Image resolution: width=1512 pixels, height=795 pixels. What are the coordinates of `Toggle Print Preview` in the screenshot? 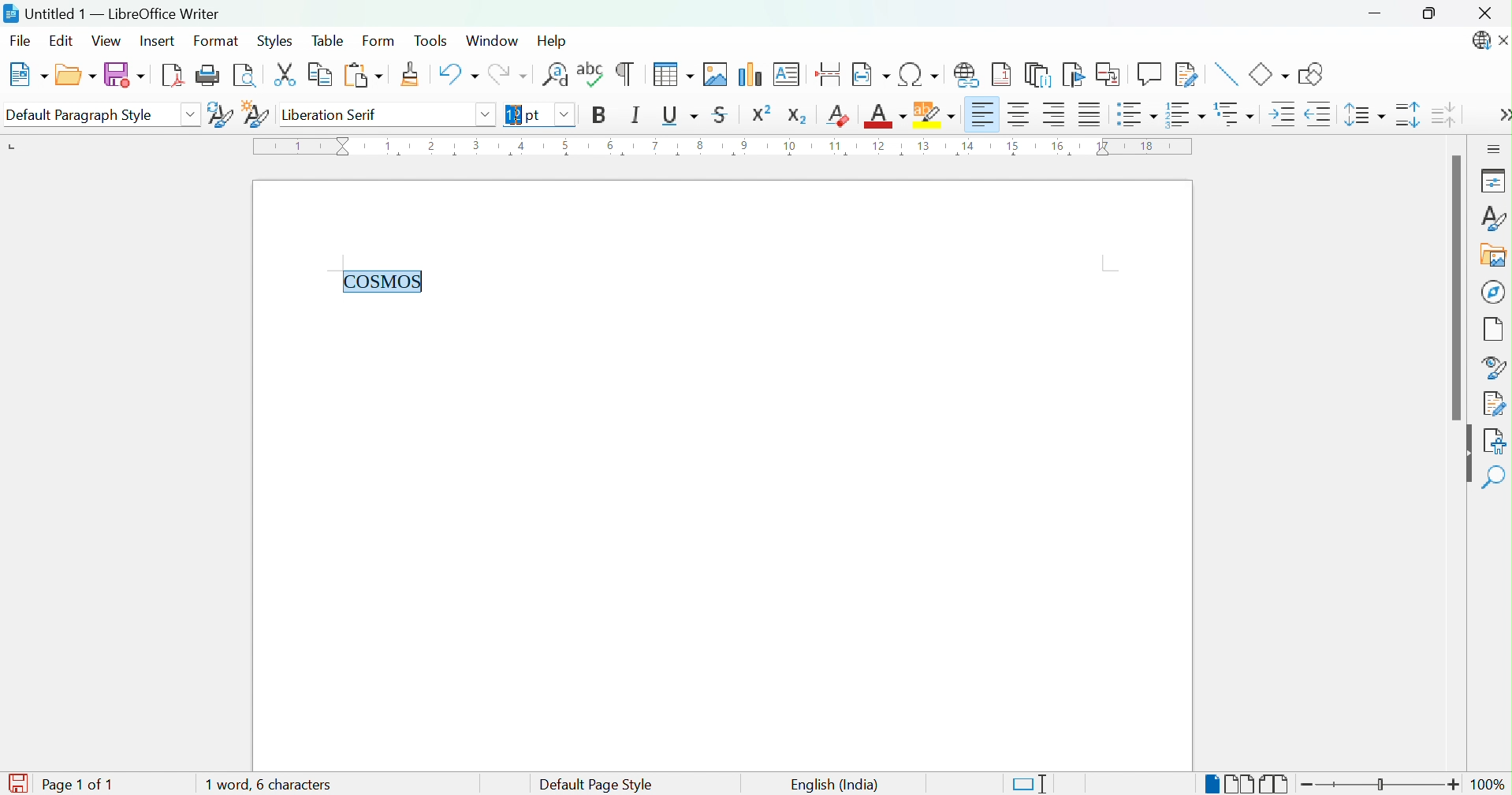 It's located at (248, 76).